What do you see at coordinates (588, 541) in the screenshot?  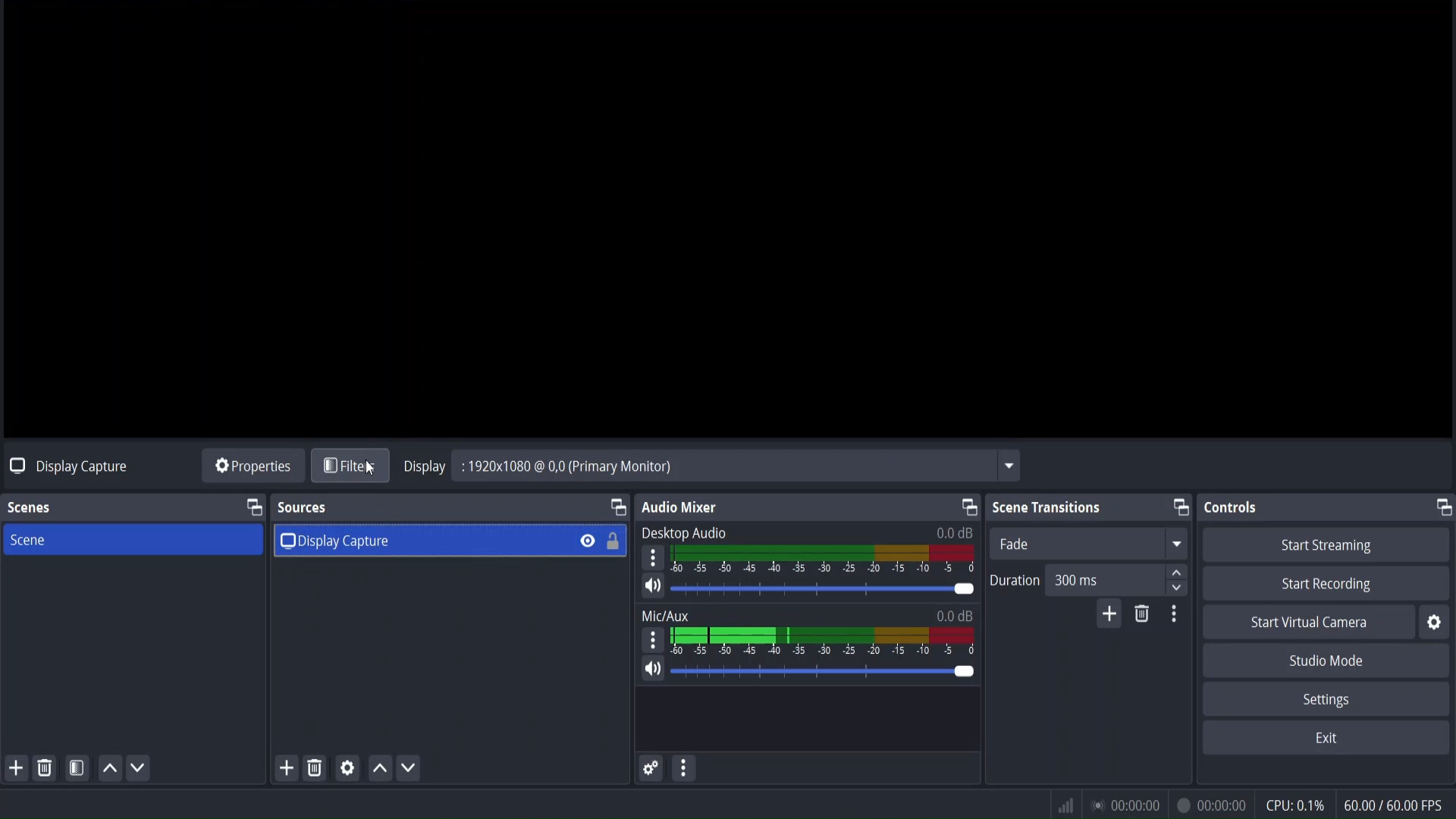 I see `hide` at bounding box center [588, 541].